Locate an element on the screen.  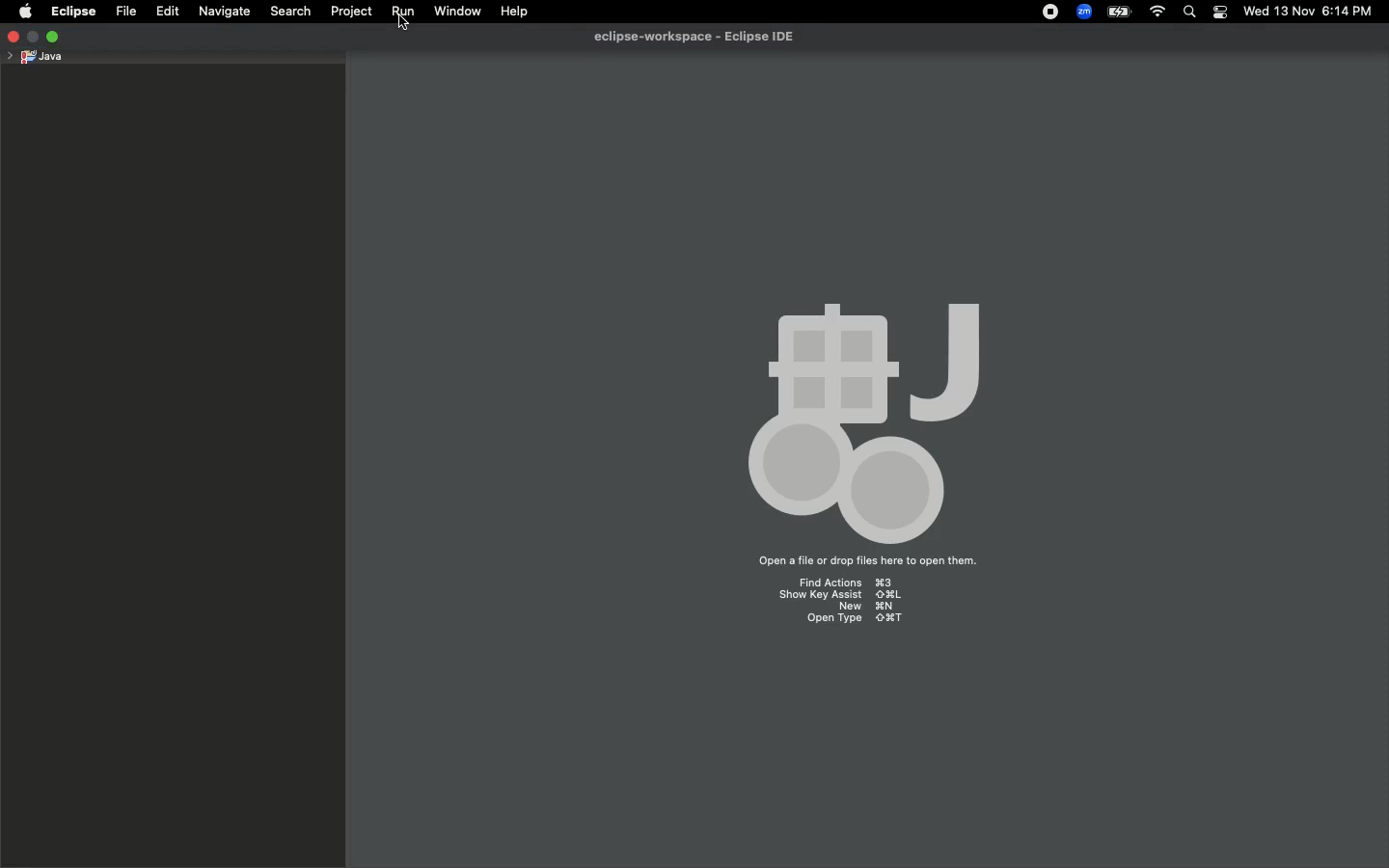
File is located at coordinates (123, 13).